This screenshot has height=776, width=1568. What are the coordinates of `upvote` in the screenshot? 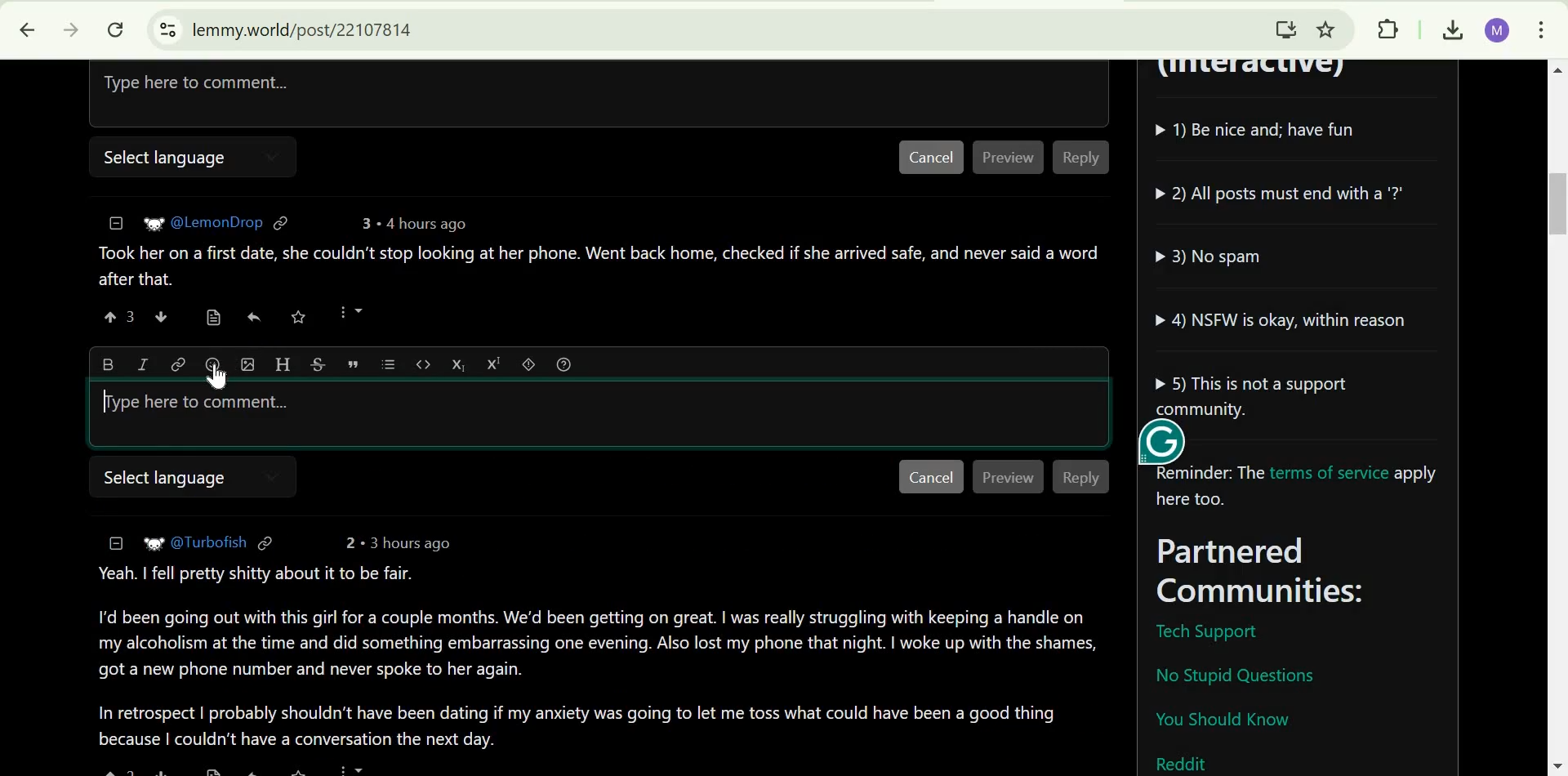 It's located at (121, 316).